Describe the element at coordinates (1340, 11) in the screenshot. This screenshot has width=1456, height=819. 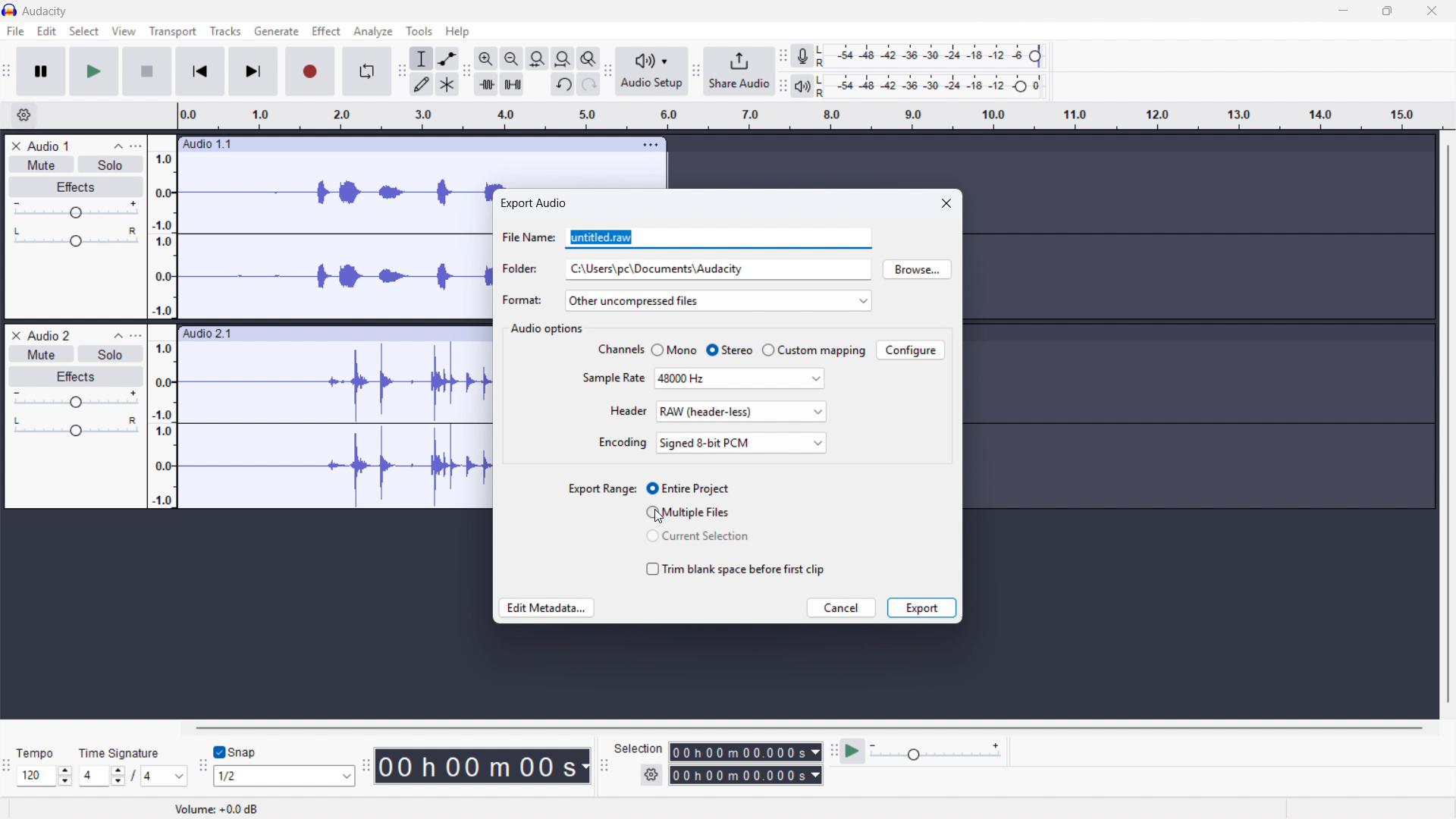
I see `minimise ` at that location.